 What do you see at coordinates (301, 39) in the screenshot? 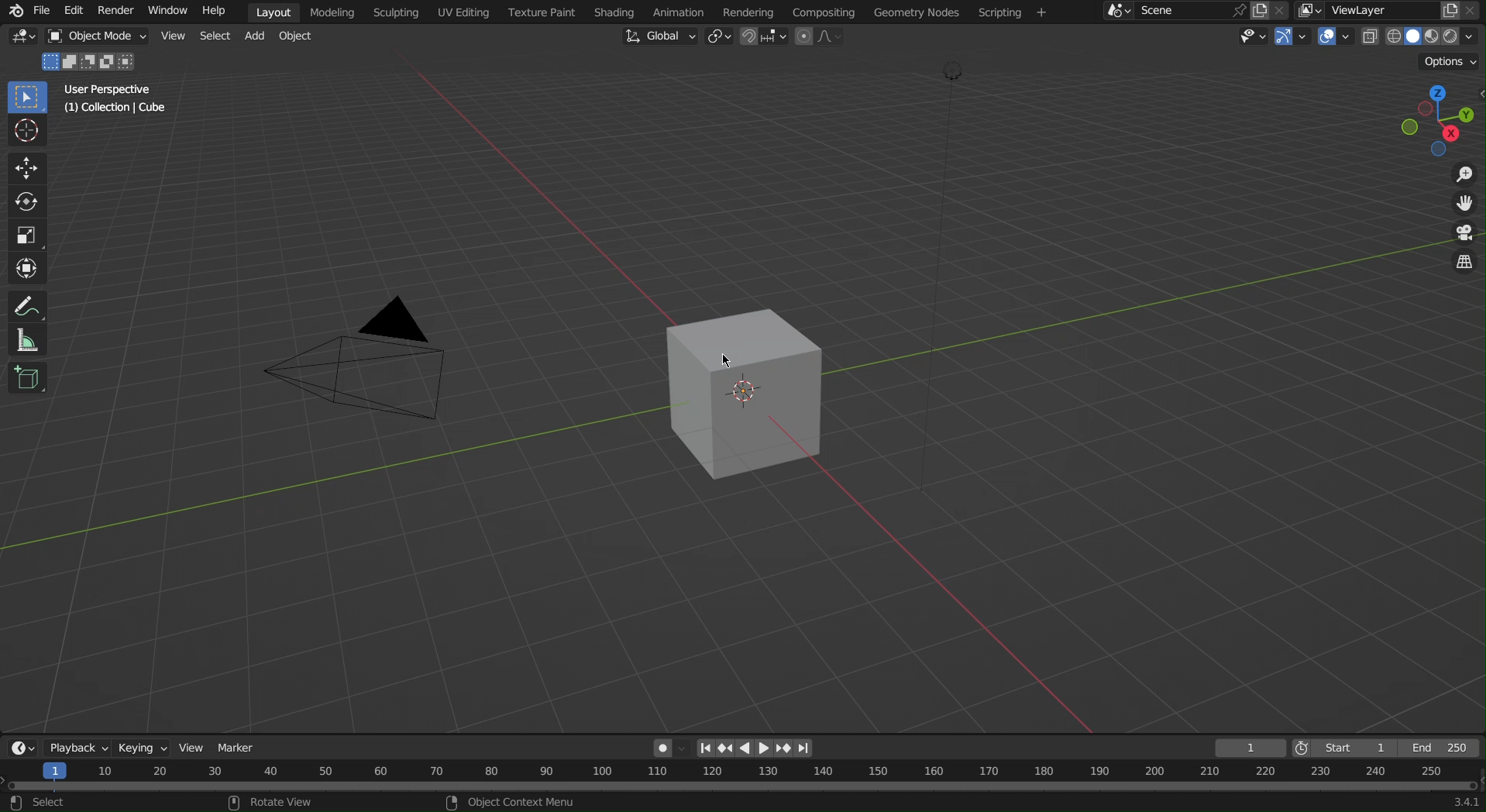
I see `Object` at bounding box center [301, 39].